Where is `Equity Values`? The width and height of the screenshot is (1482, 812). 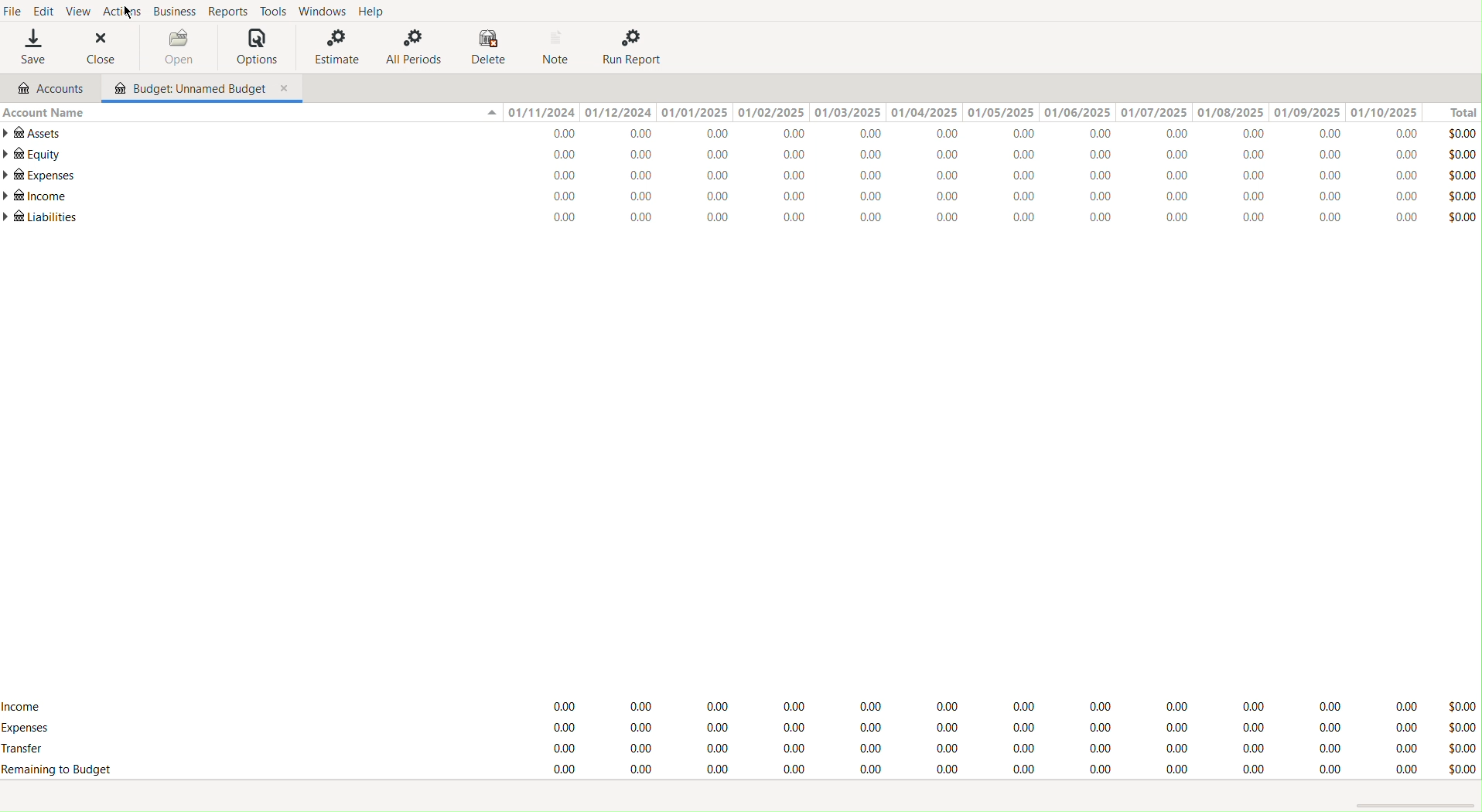 Equity Values is located at coordinates (986, 156).